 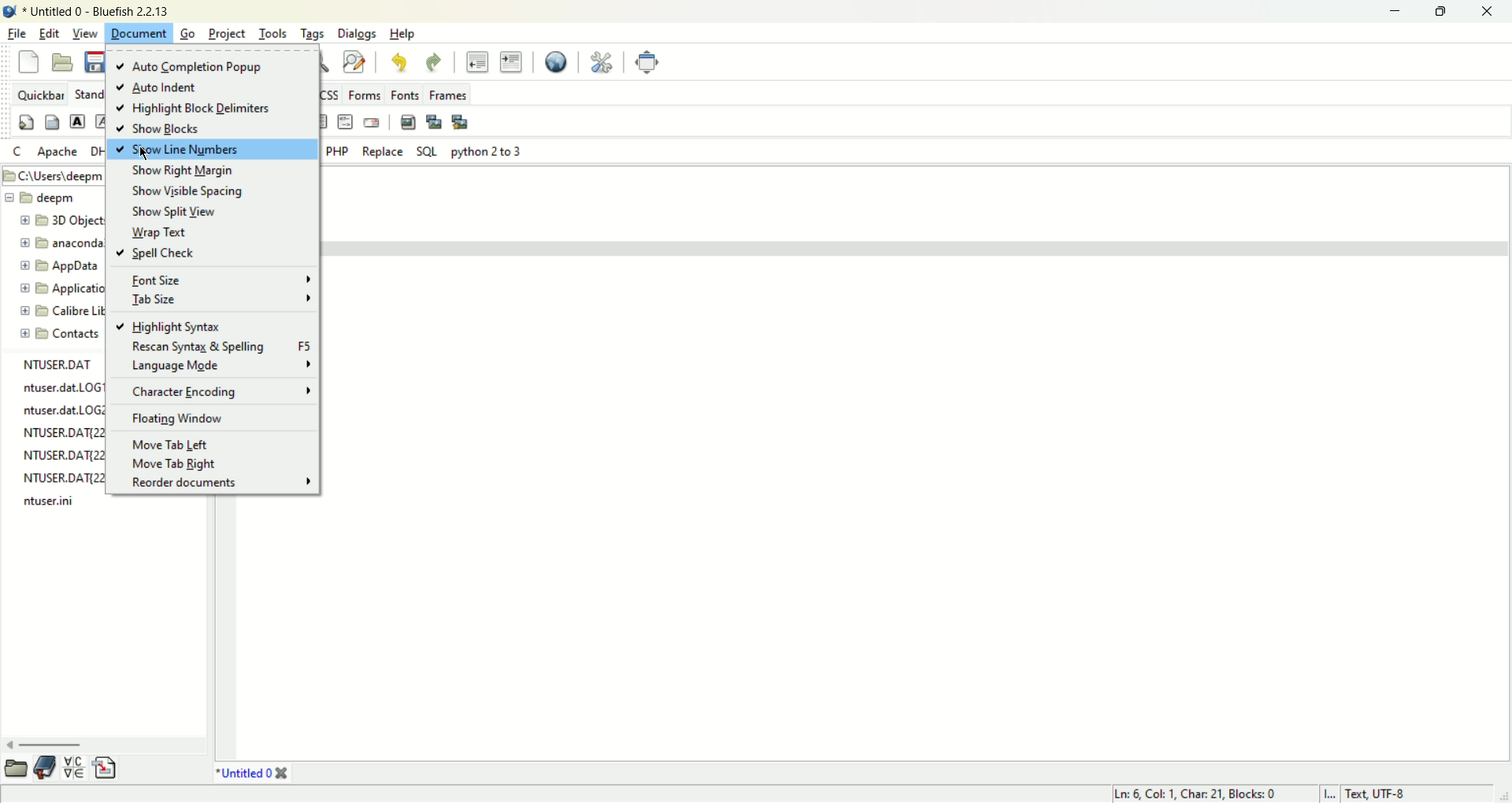 What do you see at coordinates (357, 34) in the screenshot?
I see `dialogs` at bounding box center [357, 34].